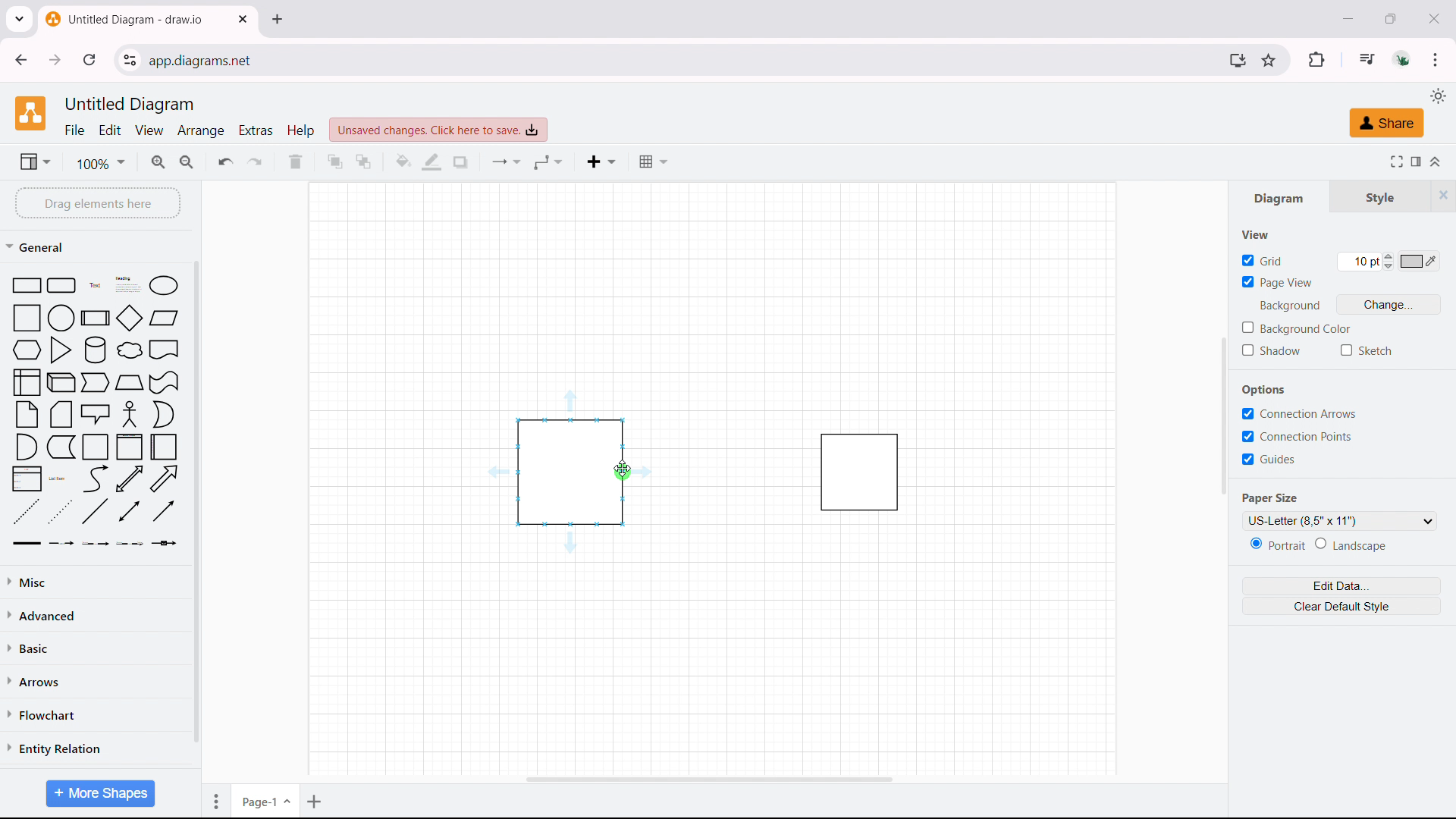  Describe the element at coordinates (255, 161) in the screenshot. I see `redo` at that location.